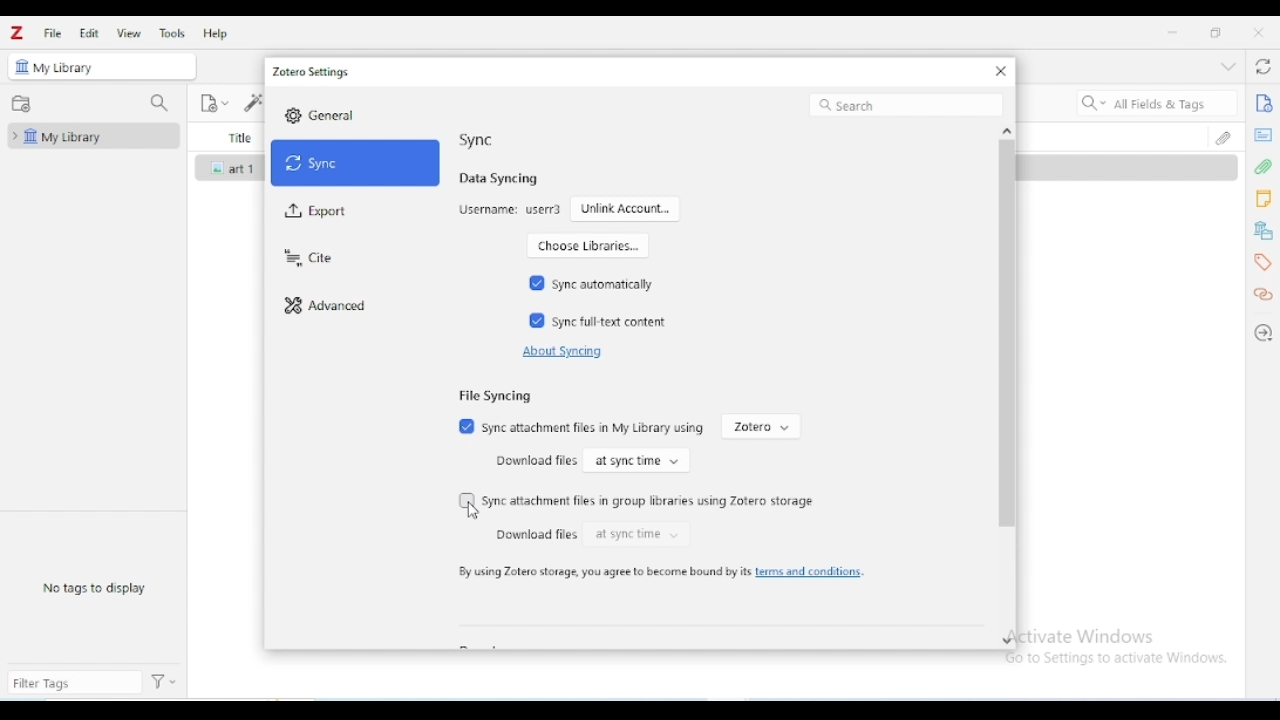 This screenshot has height=720, width=1280. Describe the element at coordinates (637, 460) in the screenshot. I see `at sync time` at that location.